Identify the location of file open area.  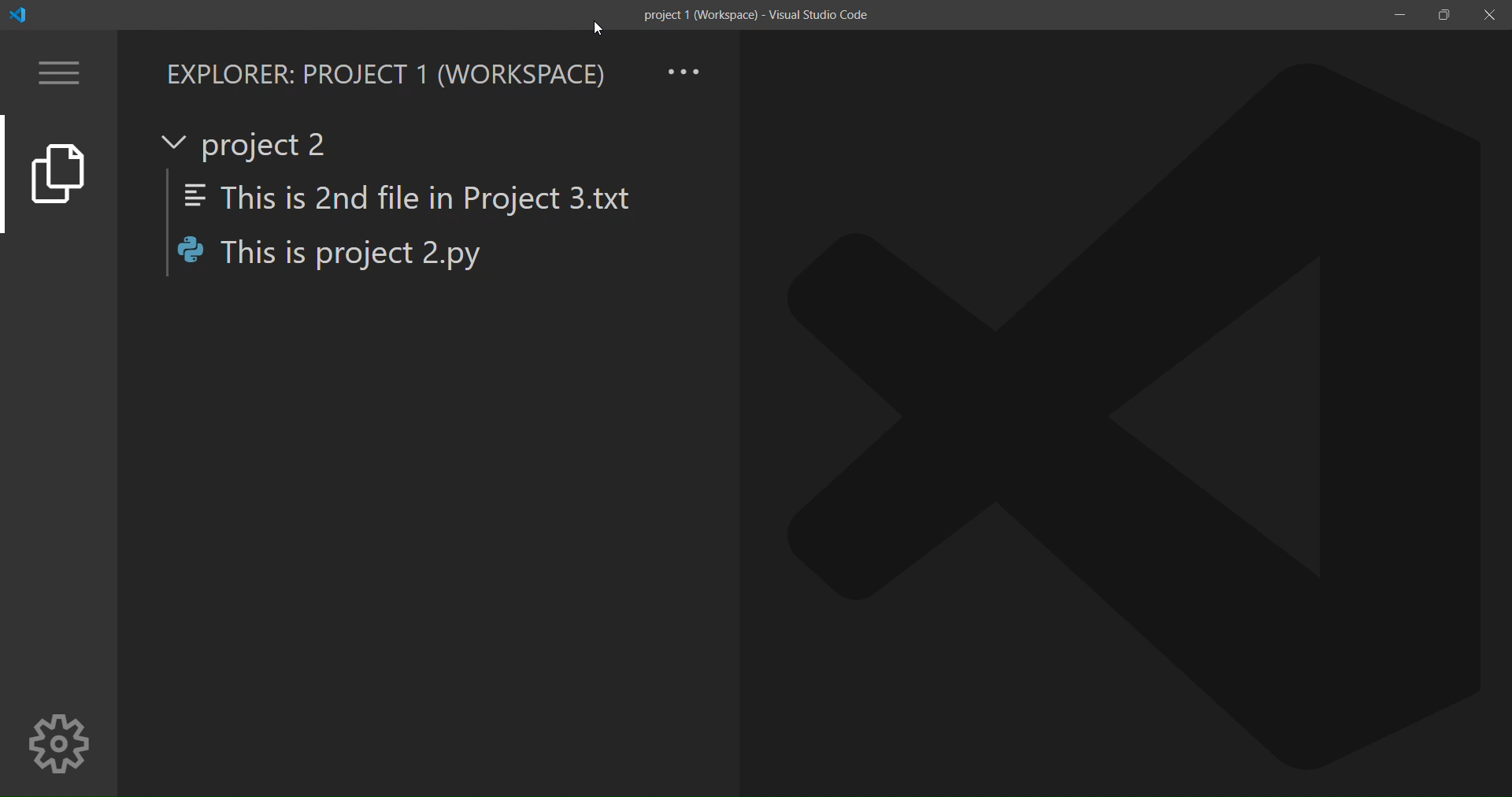
(1126, 414).